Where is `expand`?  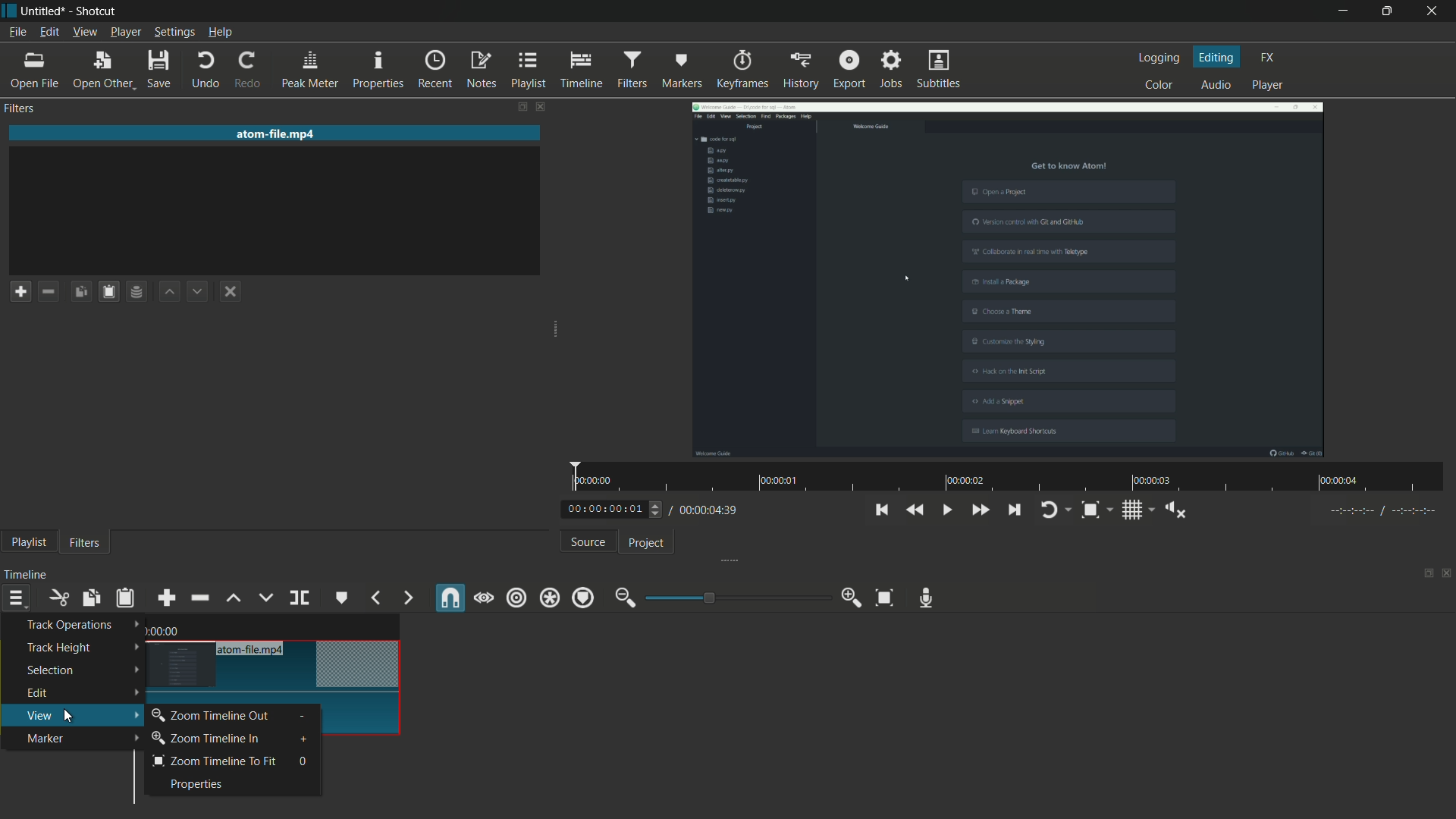
expand is located at coordinates (557, 325).